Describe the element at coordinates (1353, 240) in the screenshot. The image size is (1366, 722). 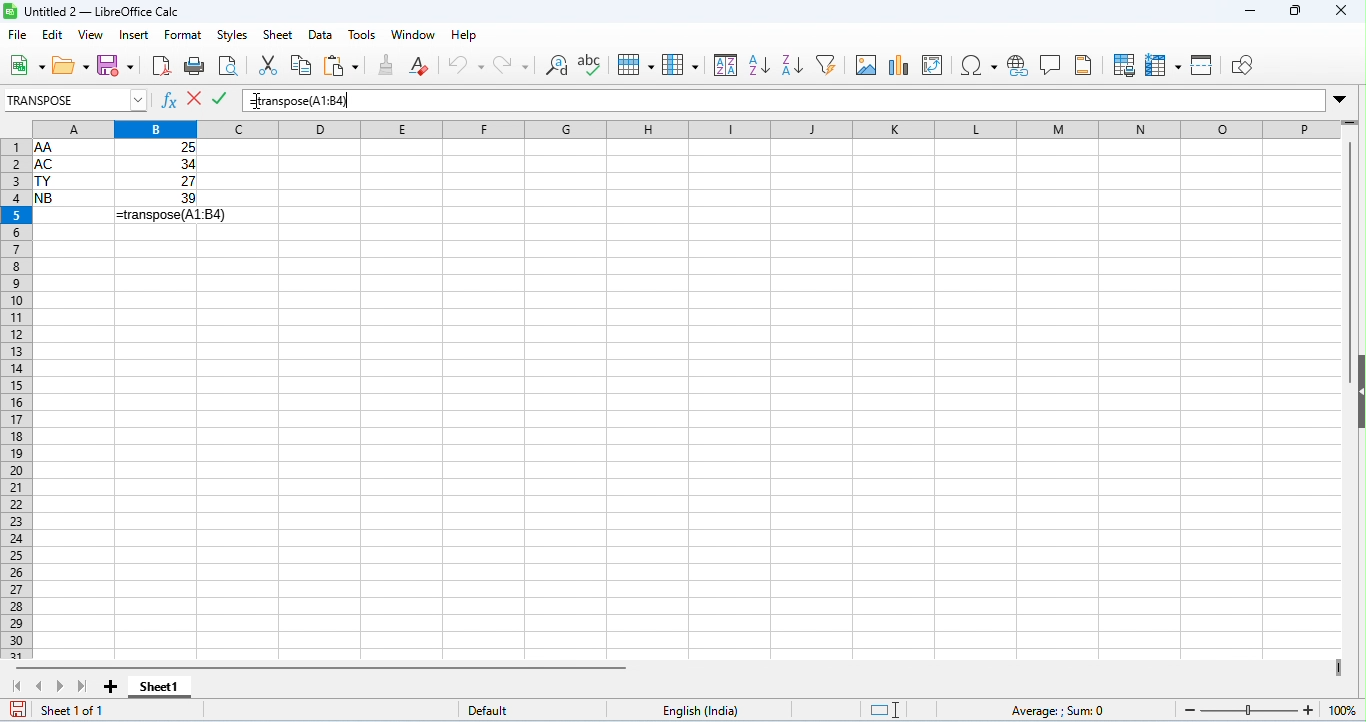
I see `vertical scroll bar` at that location.